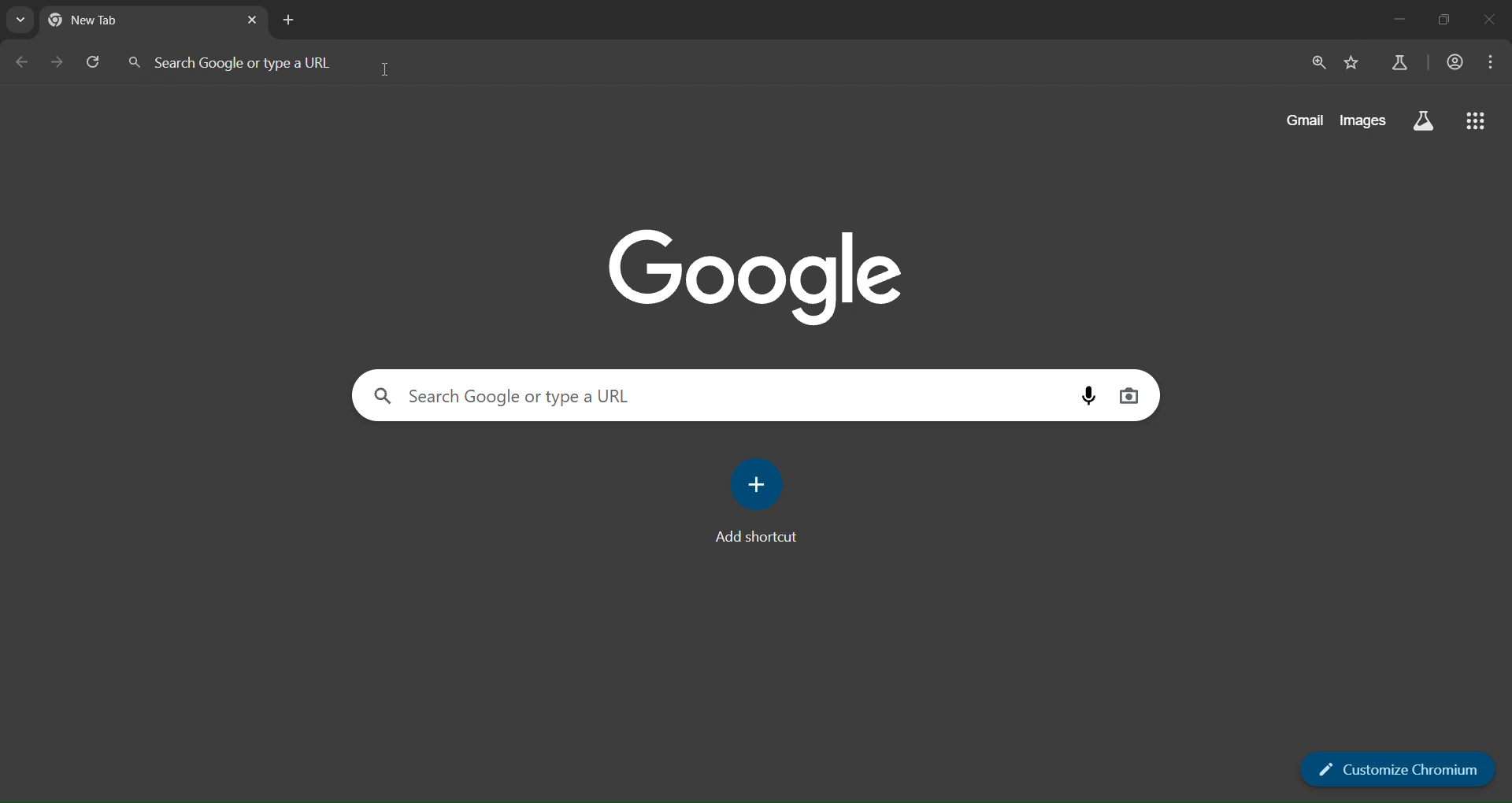 This screenshot has height=803, width=1512. Describe the element at coordinates (154, 20) in the screenshot. I see `new tab` at that location.